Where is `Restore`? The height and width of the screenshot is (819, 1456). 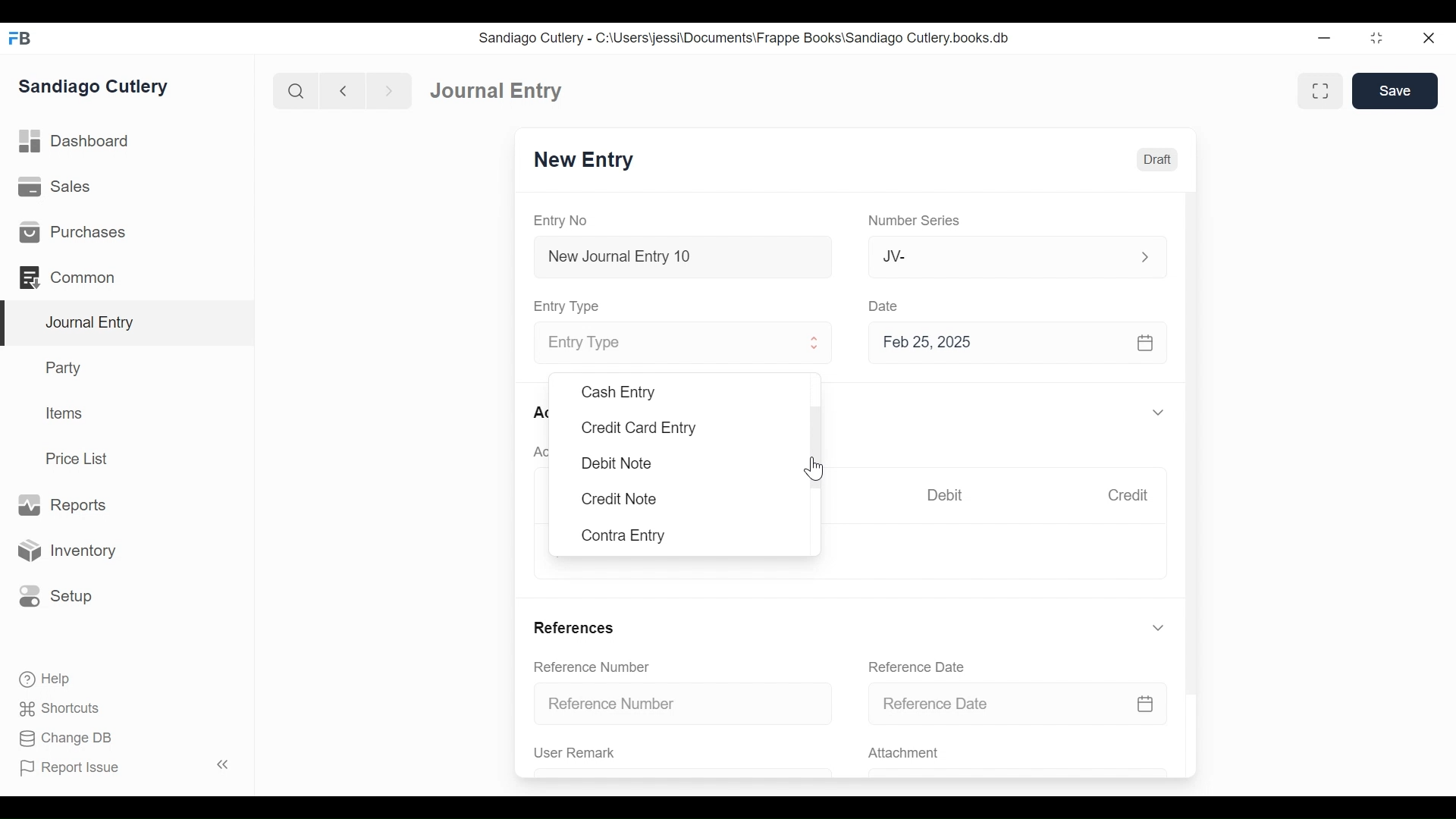
Restore is located at coordinates (1376, 39).